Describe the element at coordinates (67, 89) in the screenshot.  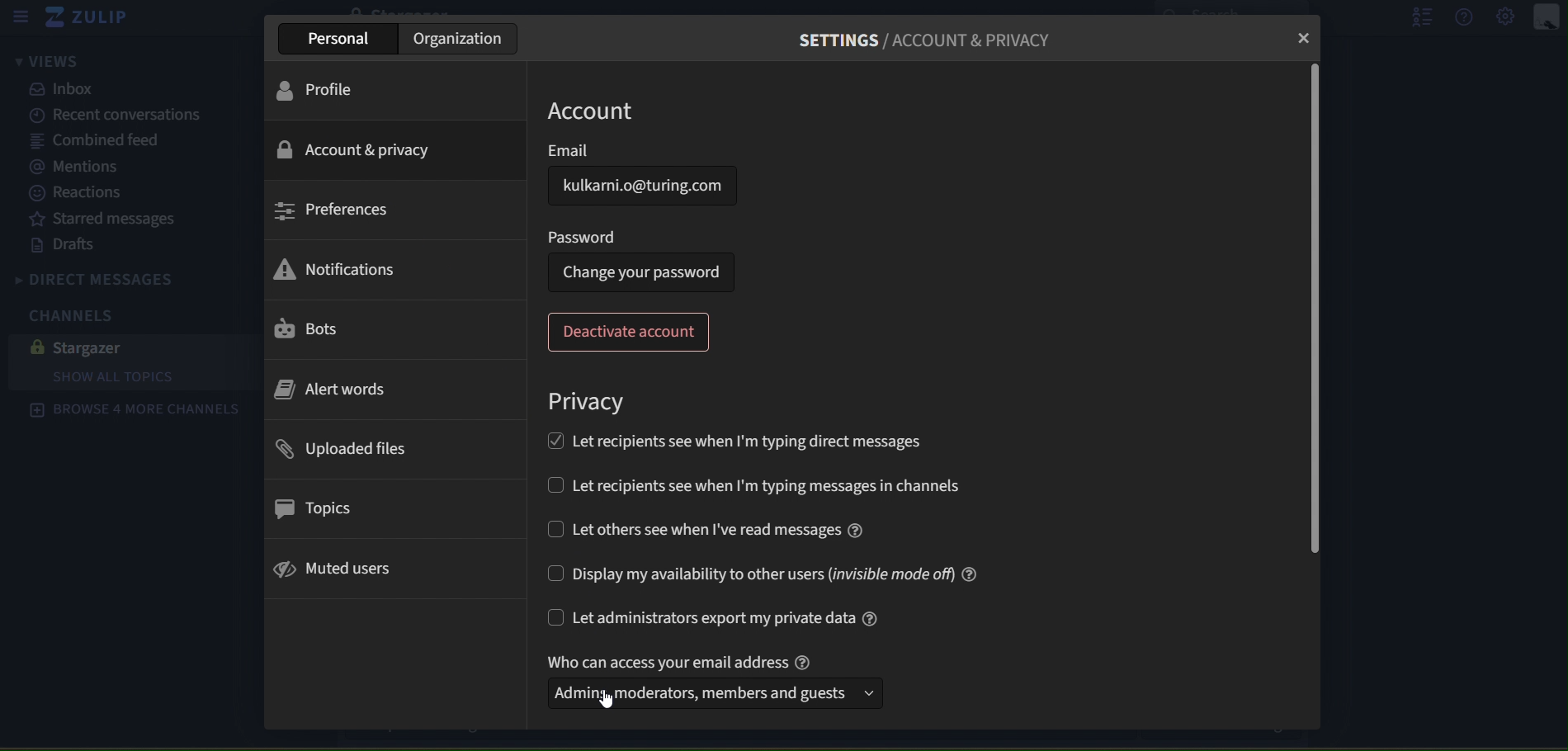
I see `inbox` at that location.